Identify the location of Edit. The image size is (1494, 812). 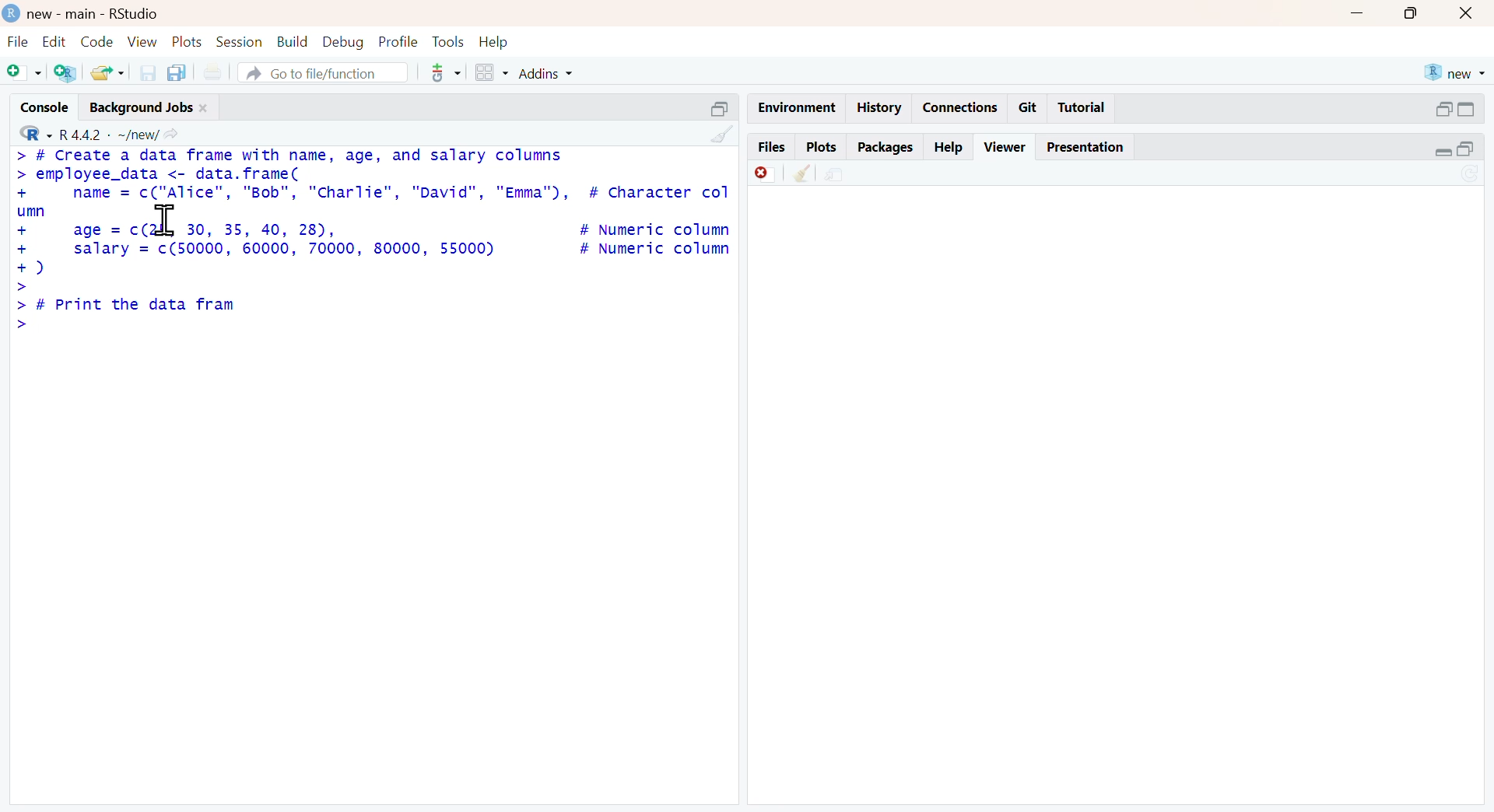
(53, 41).